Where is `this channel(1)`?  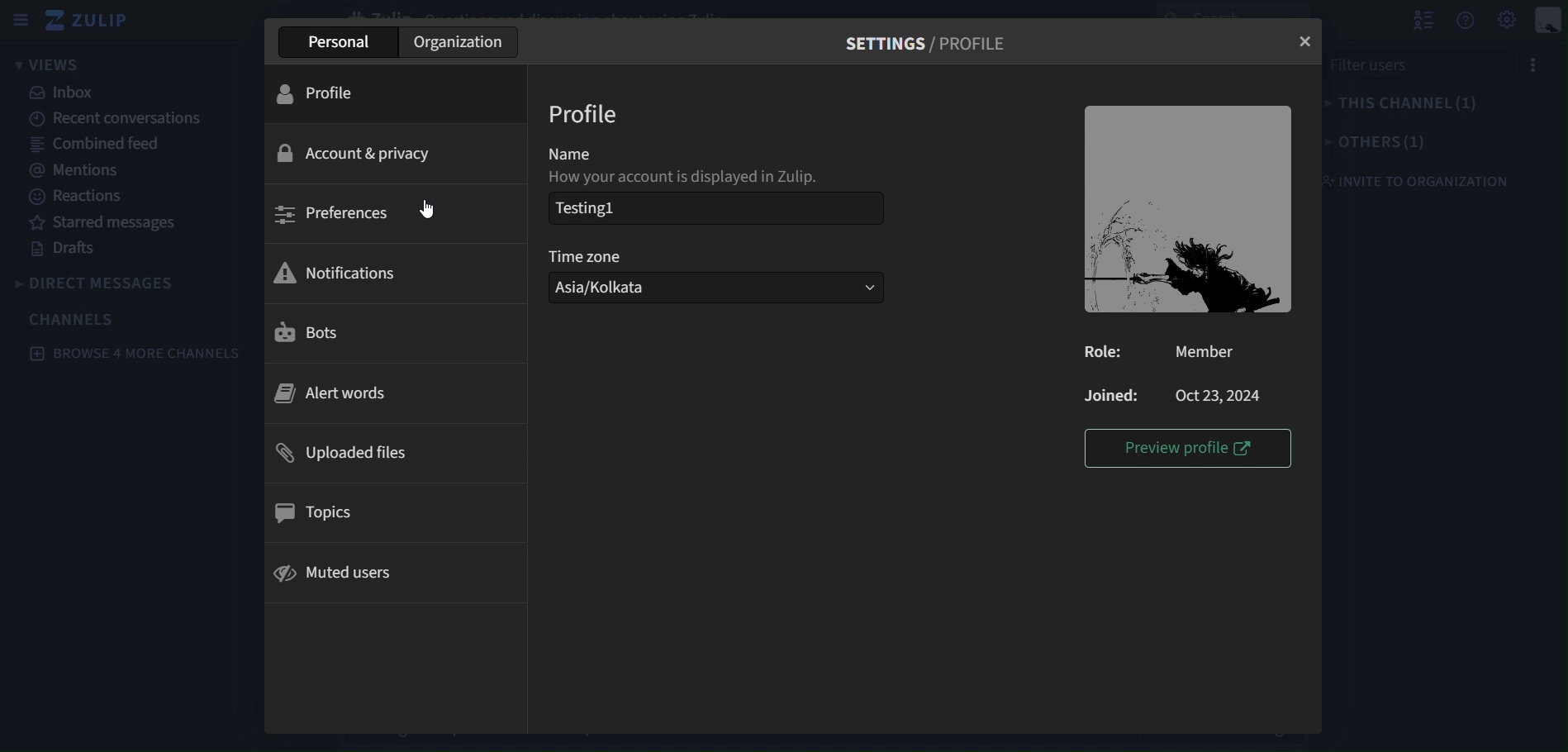 this channel(1) is located at coordinates (1407, 103).